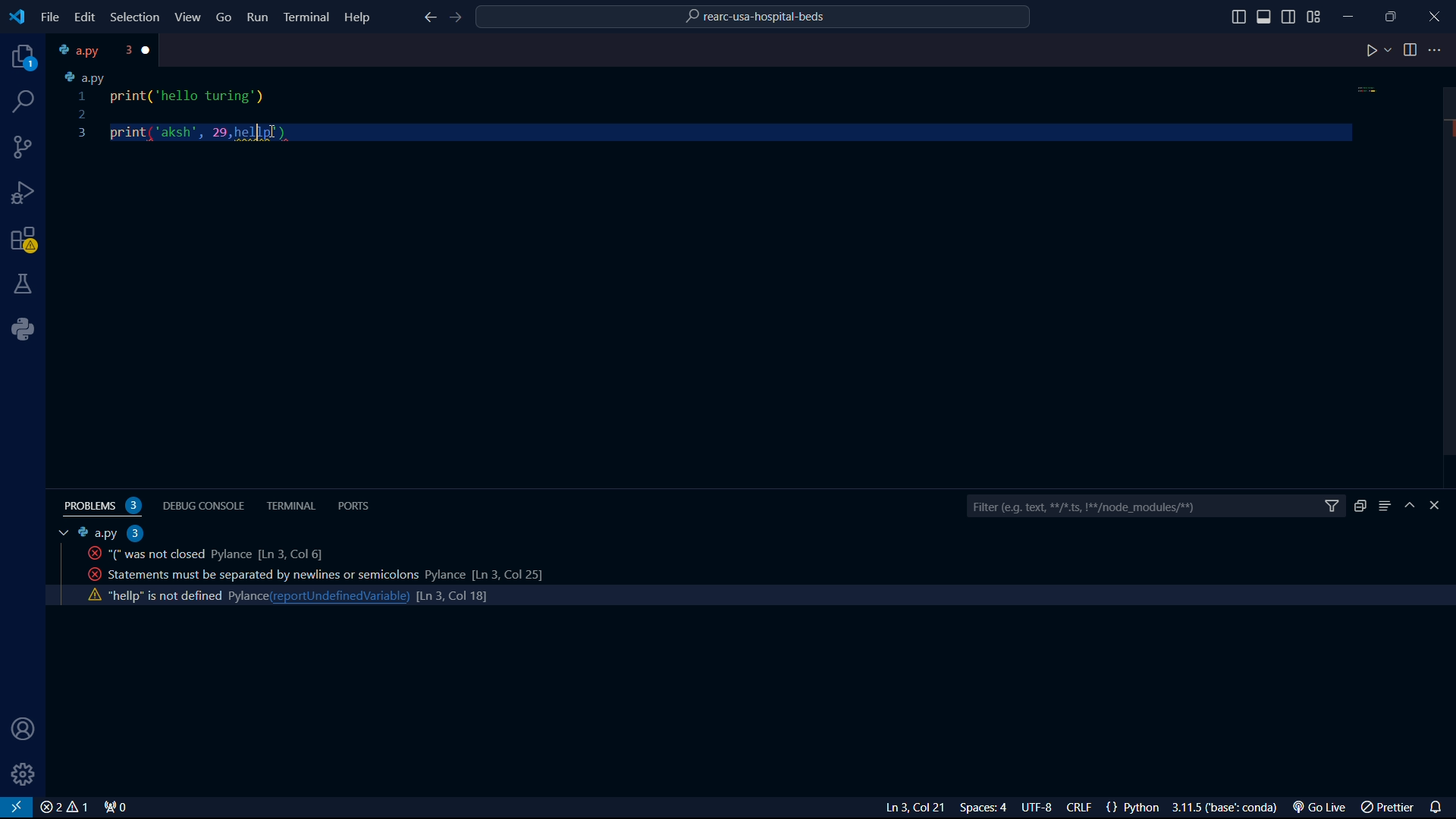 The width and height of the screenshot is (1456, 819). I want to click on notifications, so click(1439, 805).